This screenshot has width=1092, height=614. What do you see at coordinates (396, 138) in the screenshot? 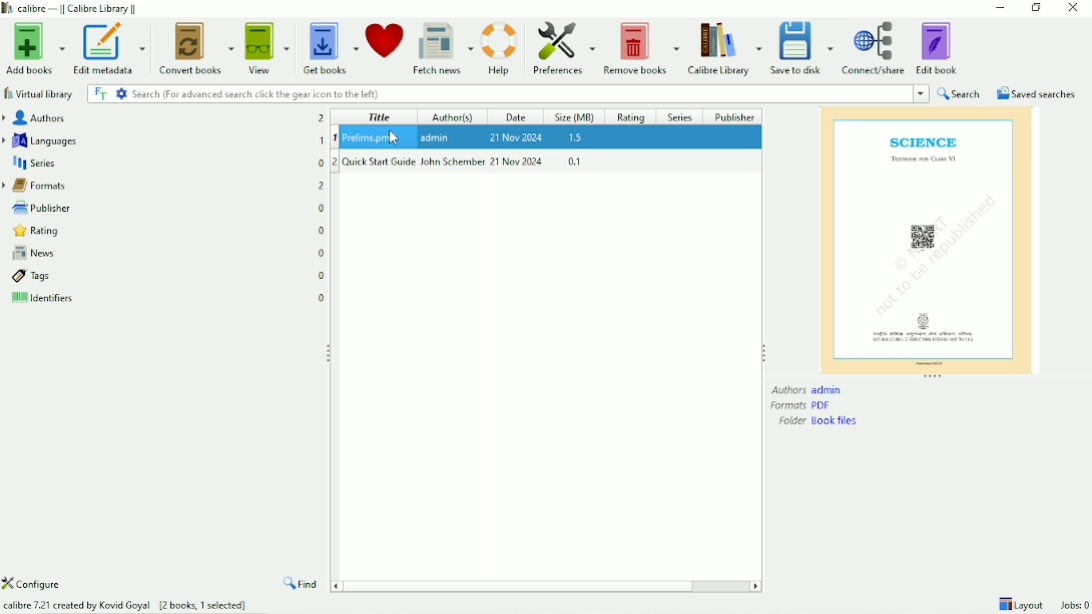
I see `Cursor` at bounding box center [396, 138].